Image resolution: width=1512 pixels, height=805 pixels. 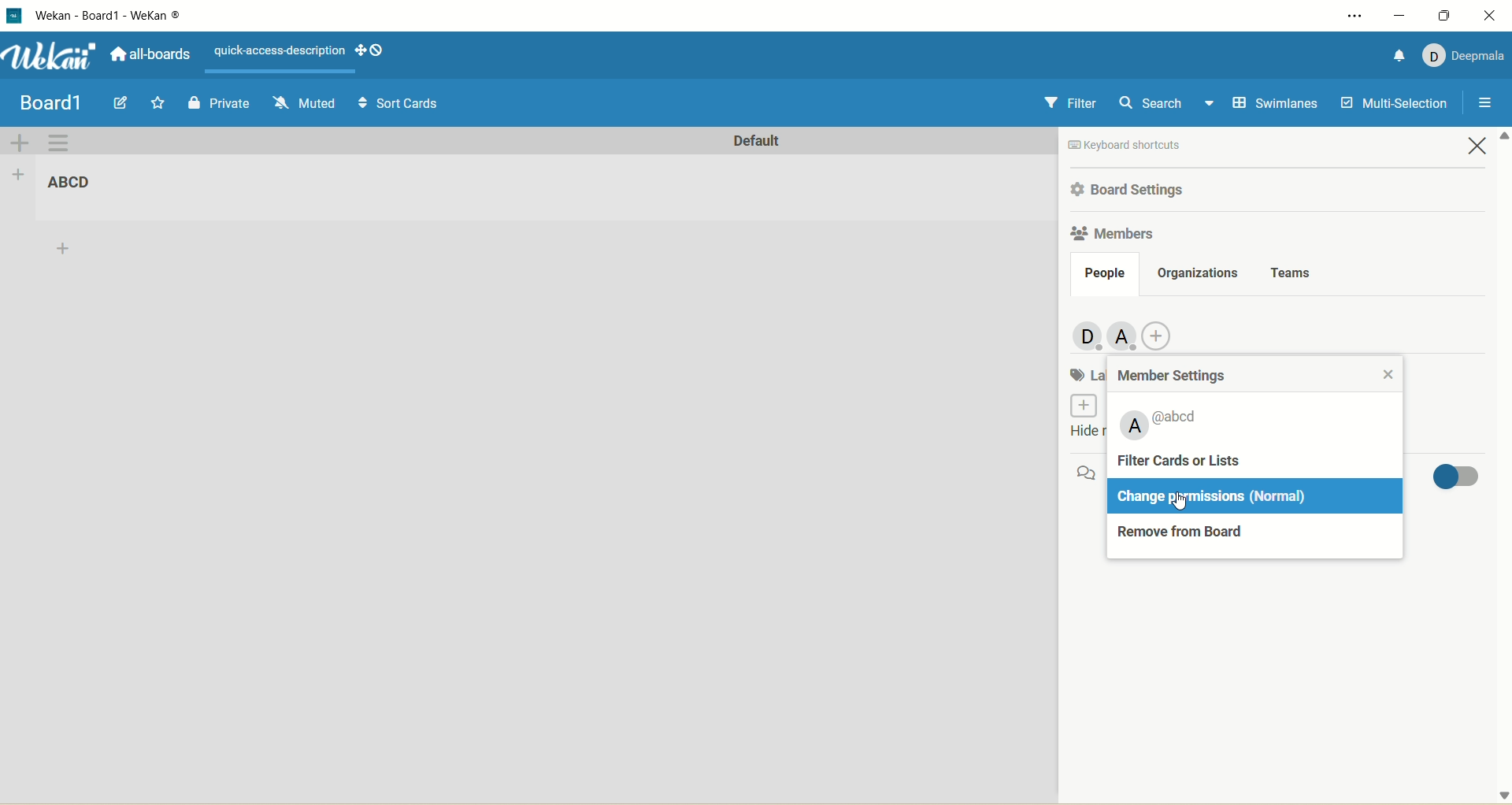 What do you see at coordinates (1293, 270) in the screenshot?
I see `teams` at bounding box center [1293, 270].